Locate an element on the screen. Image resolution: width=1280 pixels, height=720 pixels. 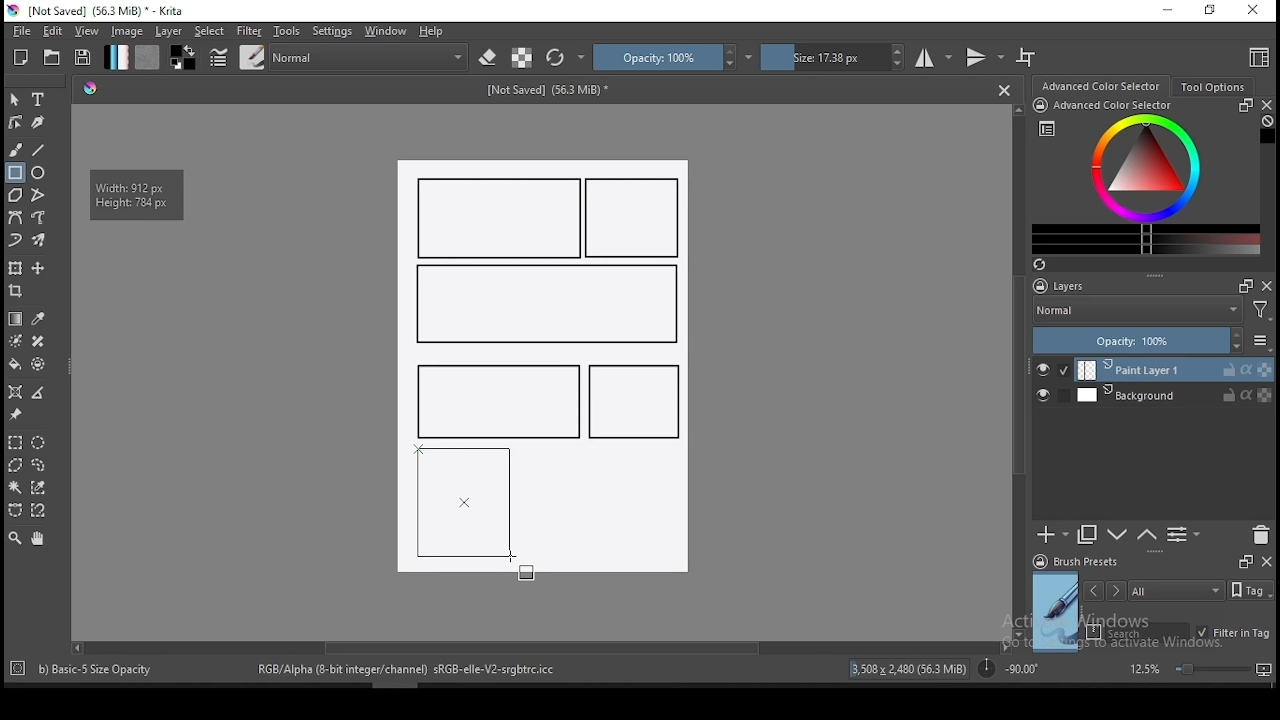
advance color selector is located at coordinates (1103, 85).